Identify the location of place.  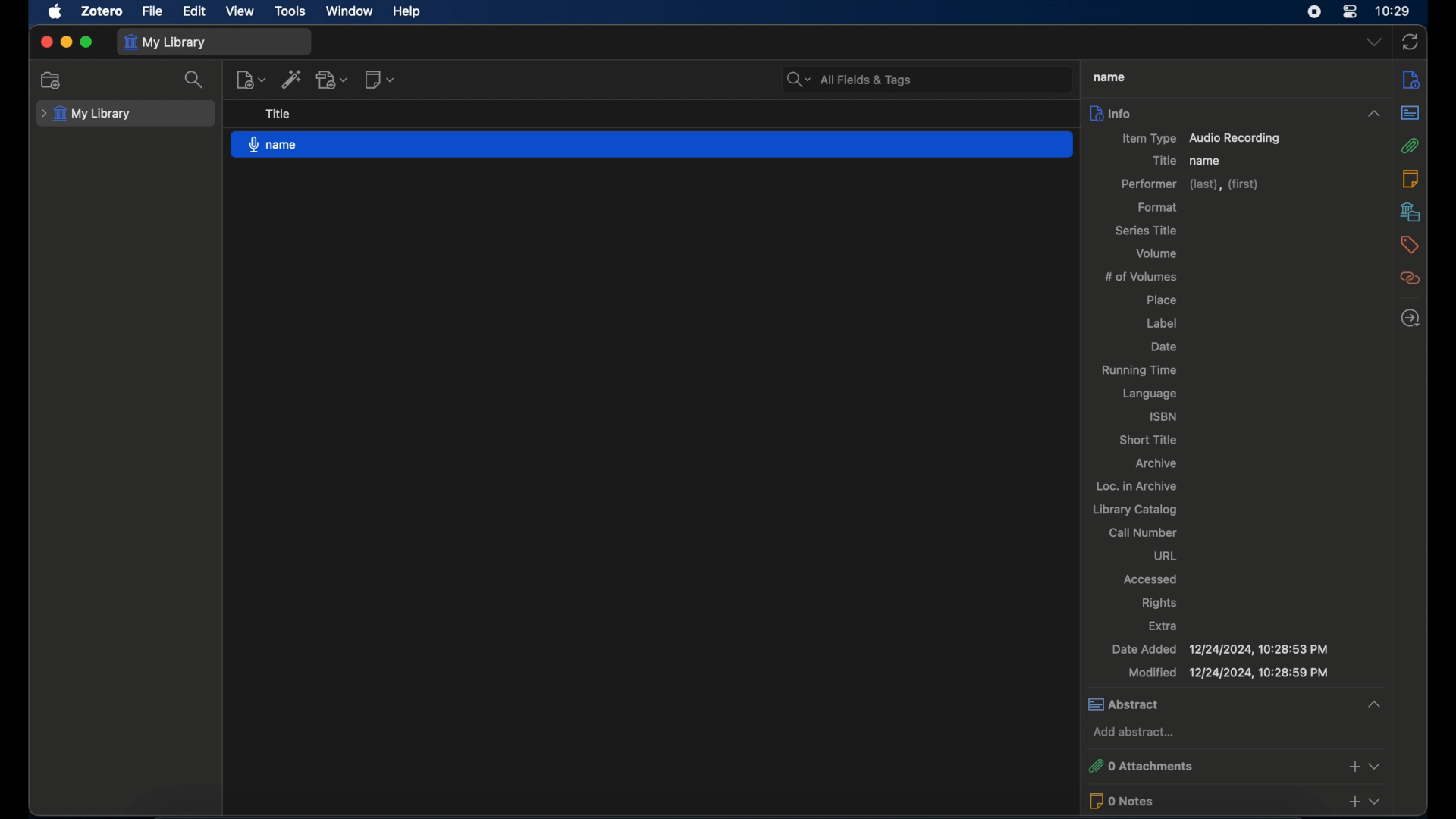
(1161, 301).